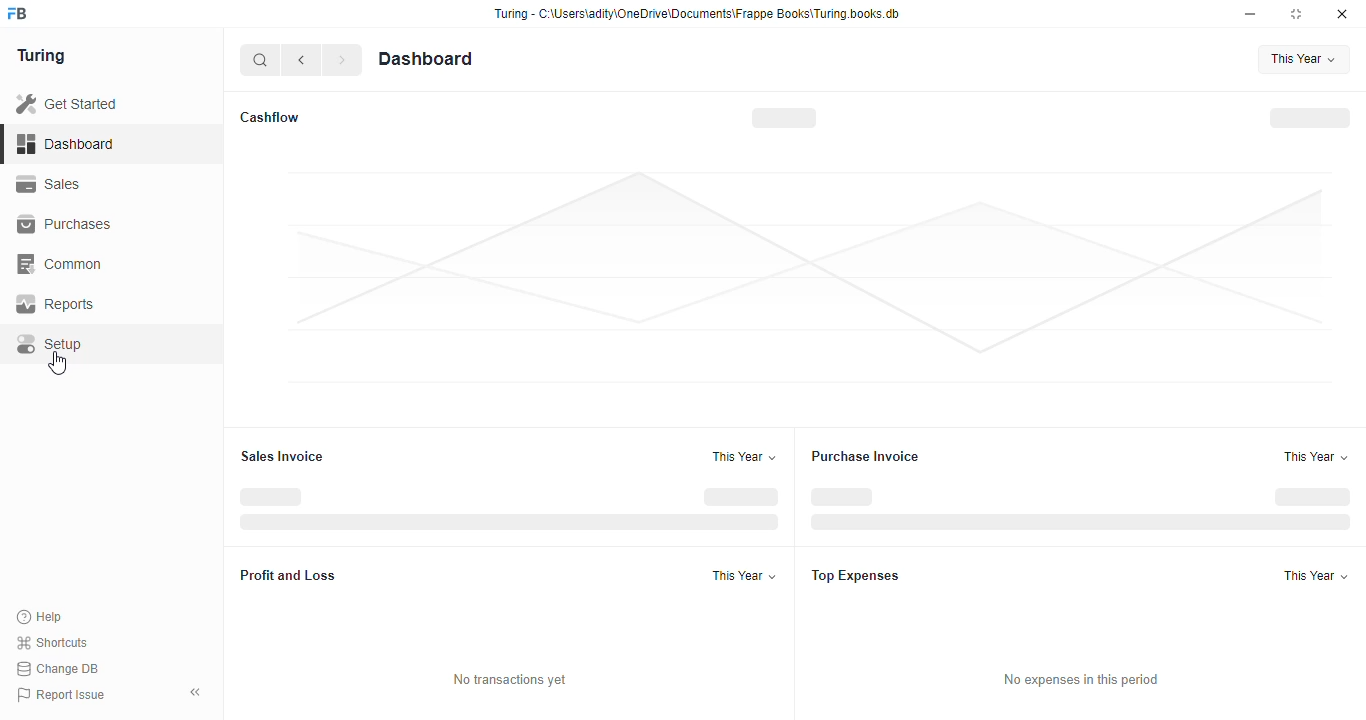 The image size is (1366, 720). Describe the element at coordinates (60, 364) in the screenshot. I see `cursor` at that location.